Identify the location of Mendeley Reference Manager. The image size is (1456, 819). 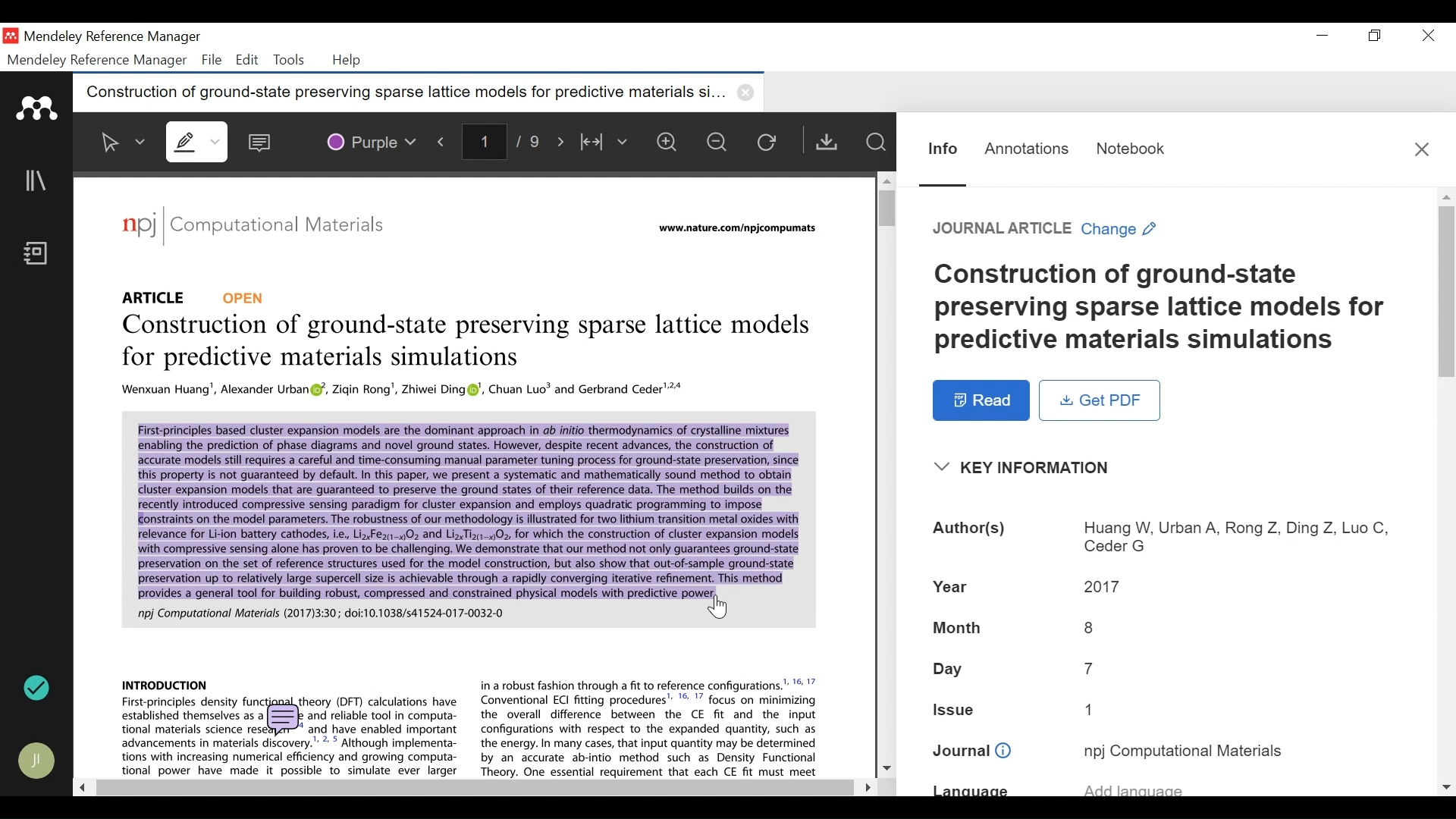
(111, 39).